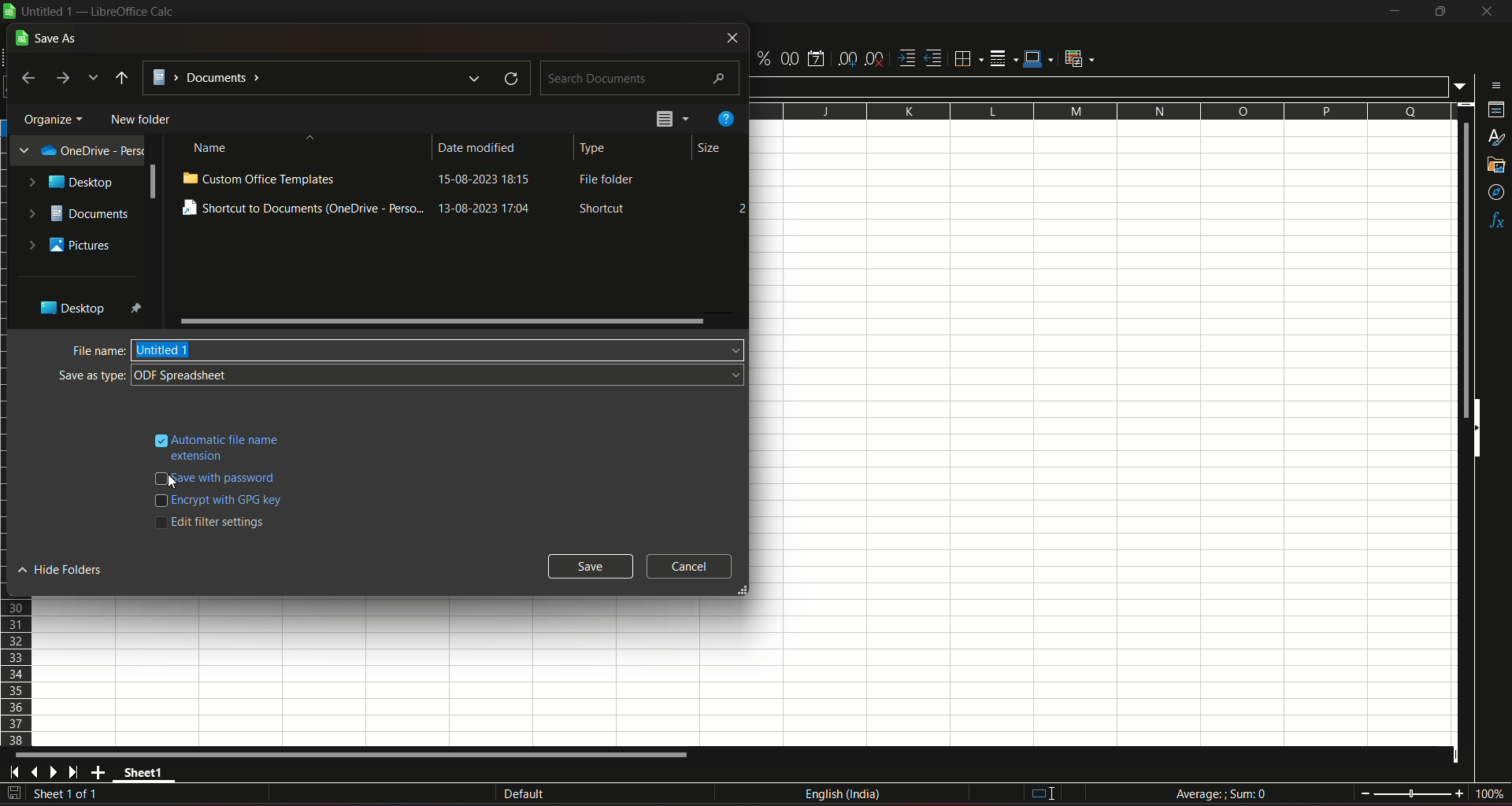 This screenshot has width=1512, height=806. What do you see at coordinates (1488, 794) in the screenshot?
I see `zoom factor` at bounding box center [1488, 794].